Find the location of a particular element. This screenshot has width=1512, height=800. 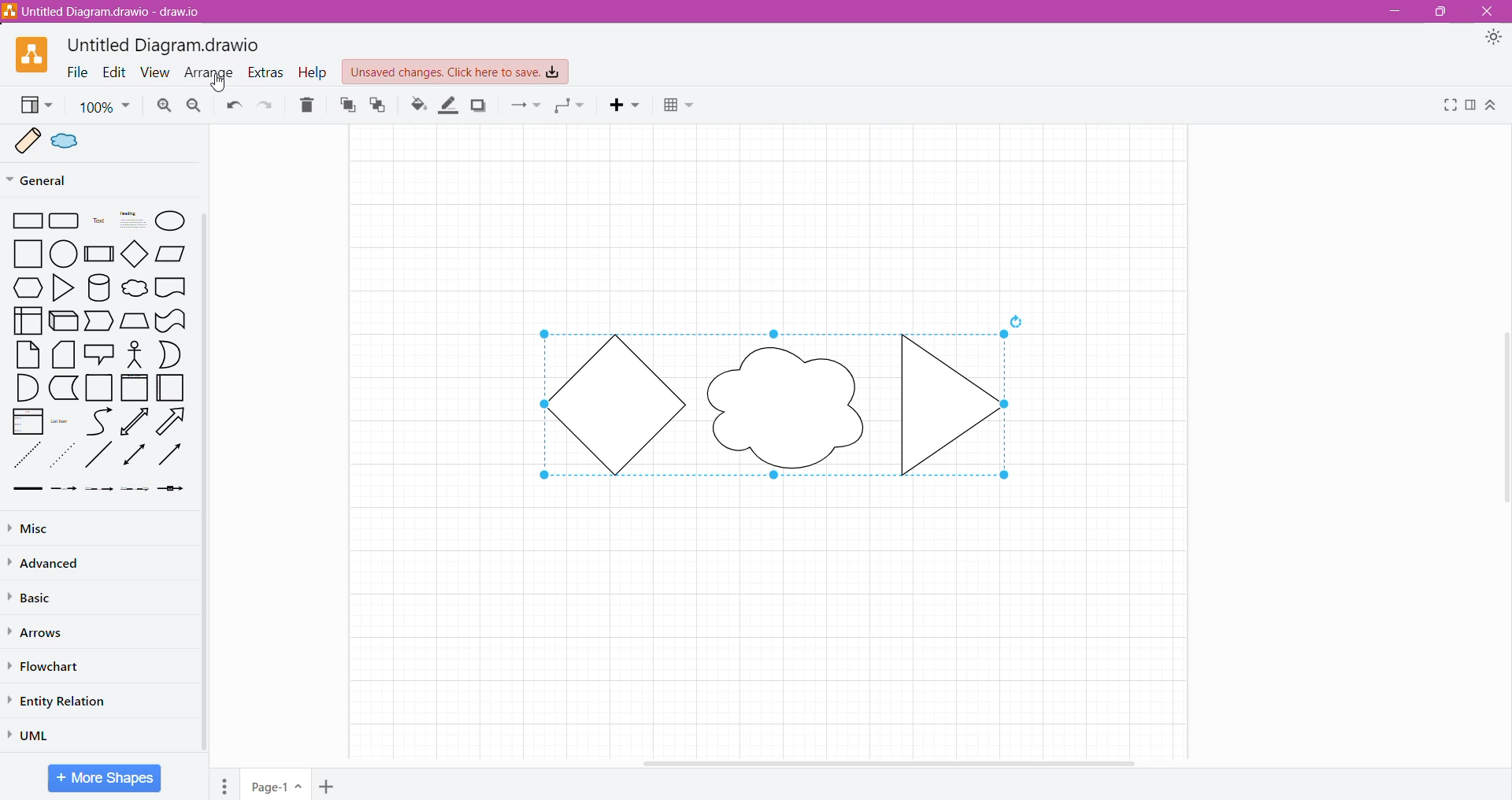

Scratchpad sample shape 2 is located at coordinates (76, 143).